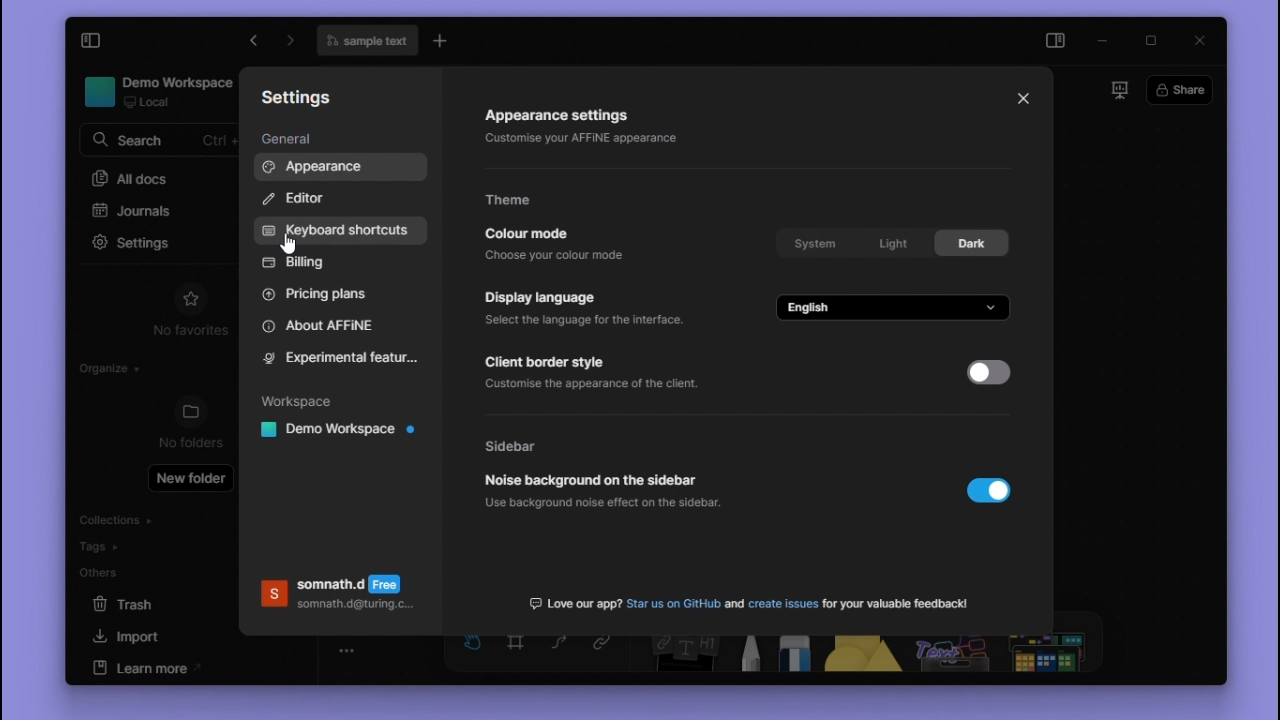 The height and width of the screenshot is (720, 1280). I want to click on Pen, so click(745, 656).